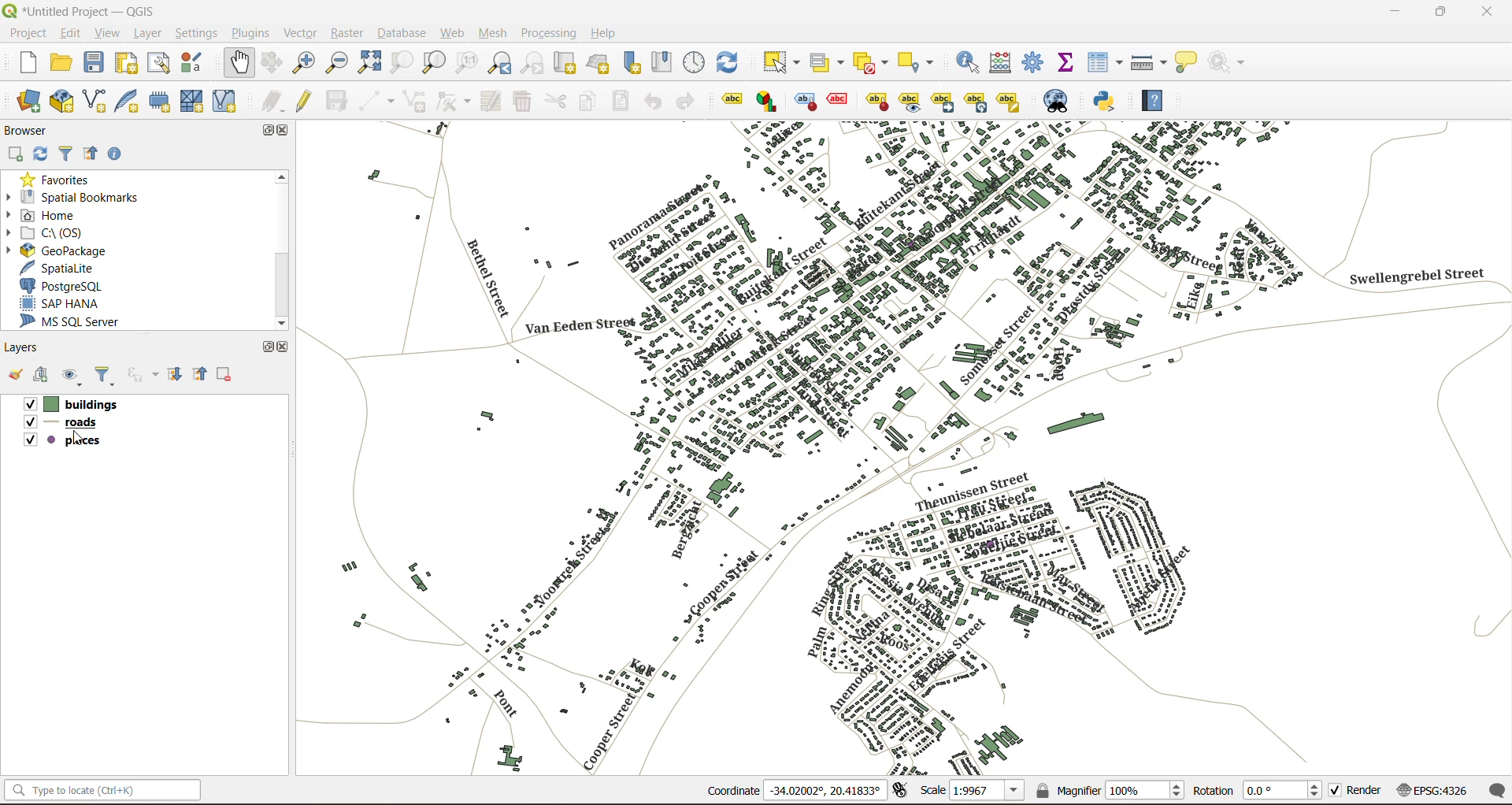  What do you see at coordinates (66, 105) in the screenshot?
I see `new geopackage layer` at bounding box center [66, 105].